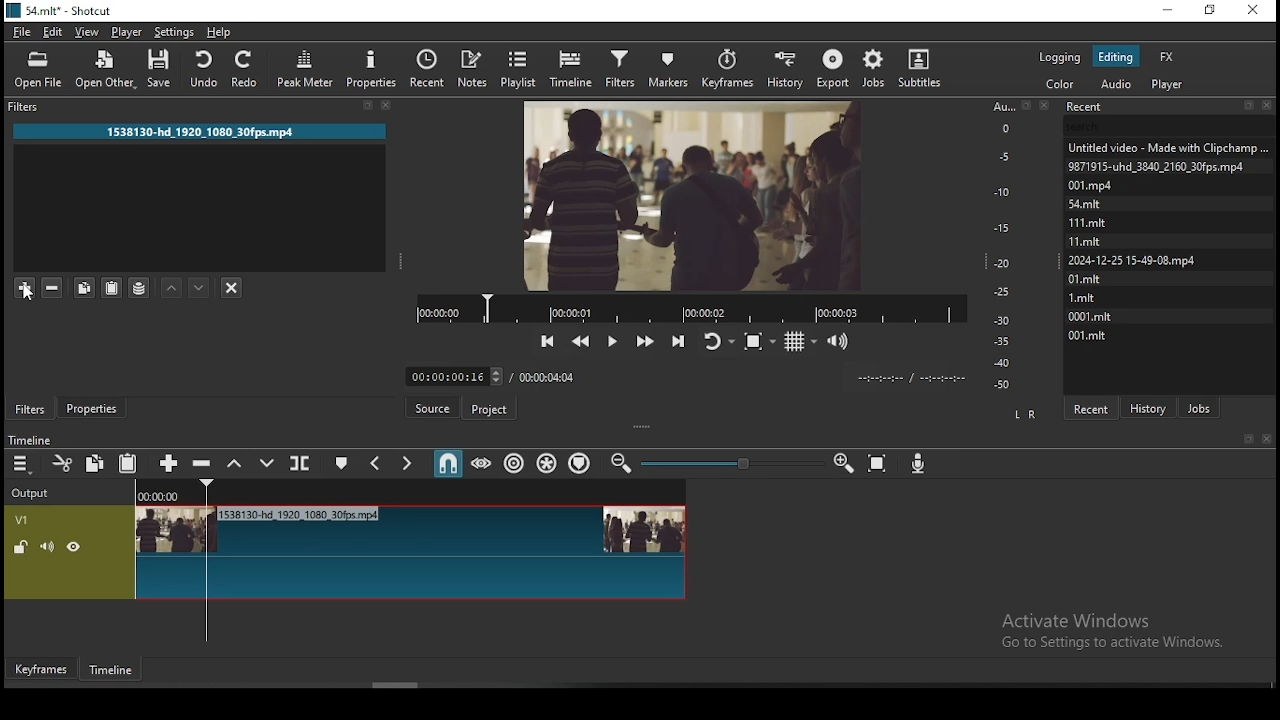 The width and height of the screenshot is (1280, 720). Describe the element at coordinates (801, 339) in the screenshot. I see `toggle grid display on the player` at that location.